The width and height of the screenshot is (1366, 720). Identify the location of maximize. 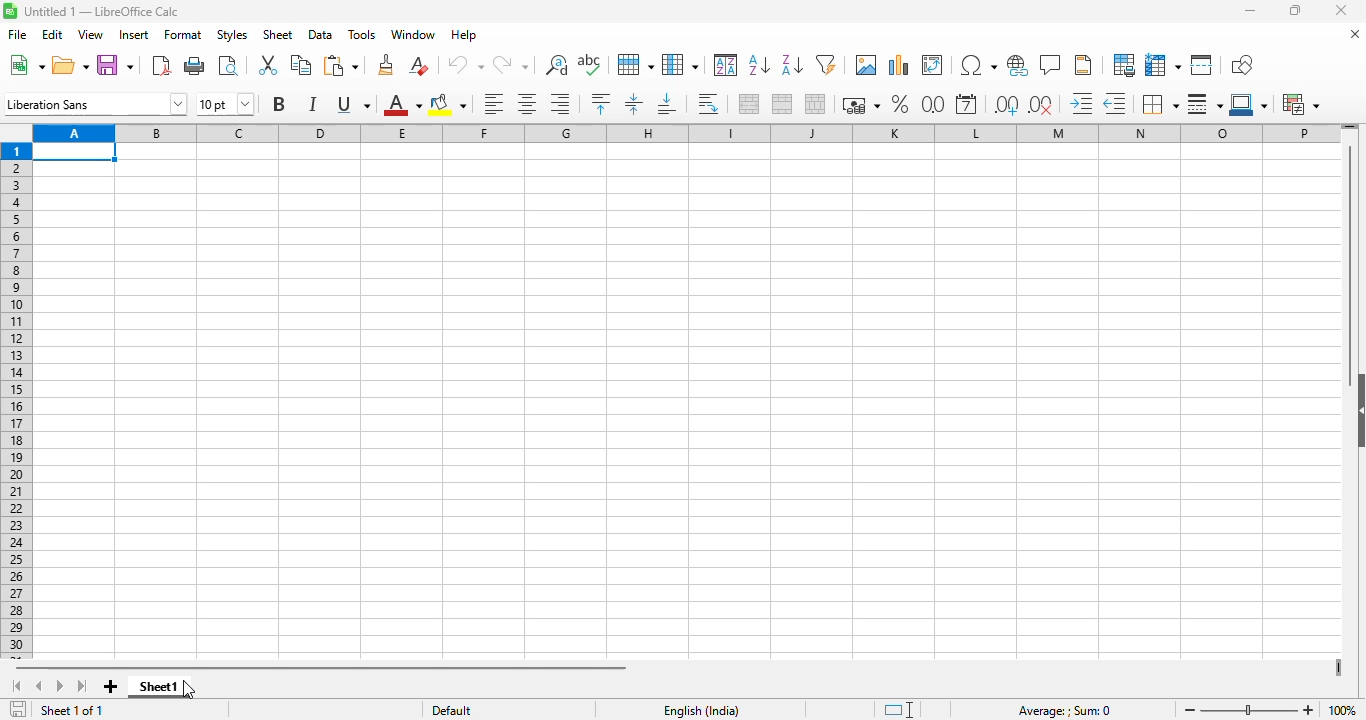
(1295, 10).